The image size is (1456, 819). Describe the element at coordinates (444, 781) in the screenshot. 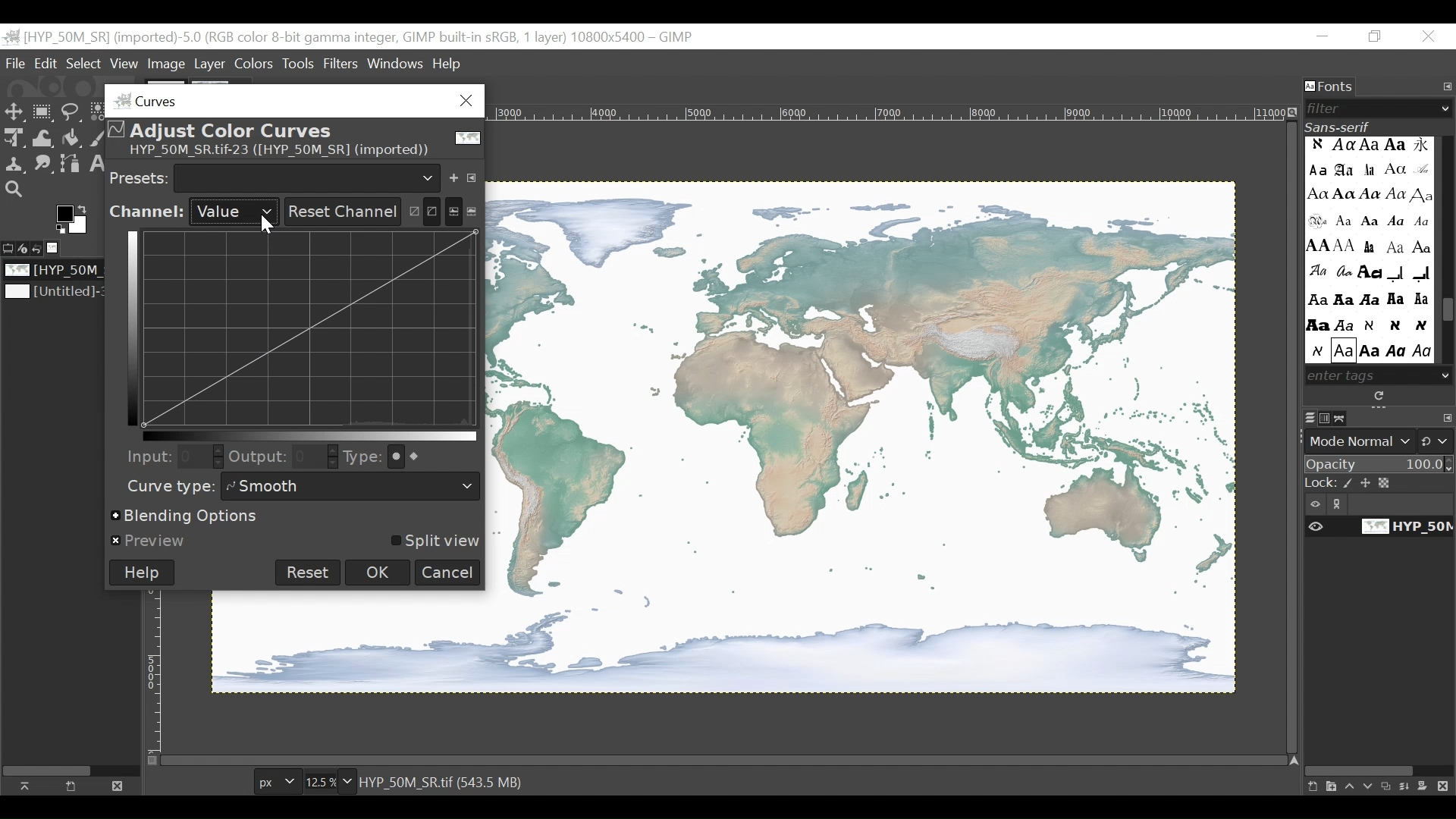

I see `HYP 0M SR TIF (543.5 MB)` at that location.